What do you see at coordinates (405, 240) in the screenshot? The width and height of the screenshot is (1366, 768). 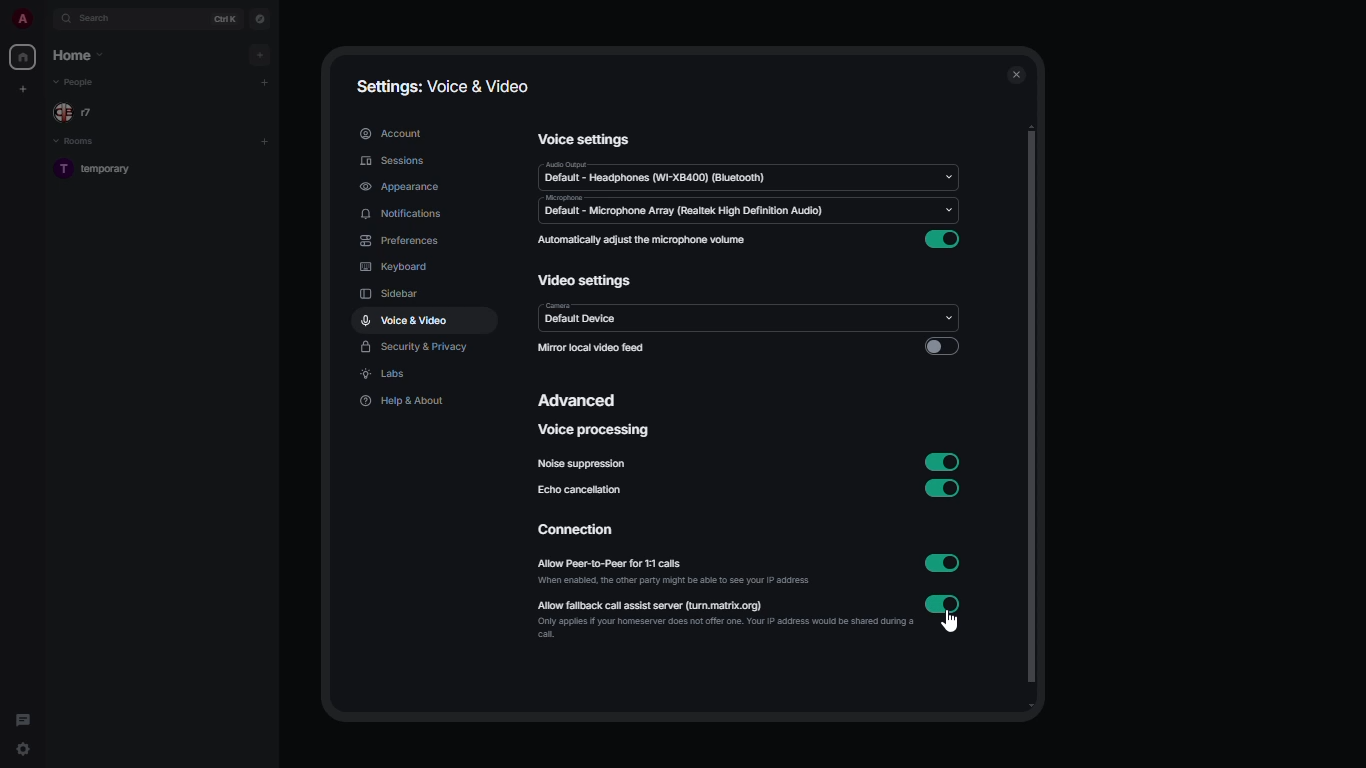 I see `preferences` at bounding box center [405, 240].